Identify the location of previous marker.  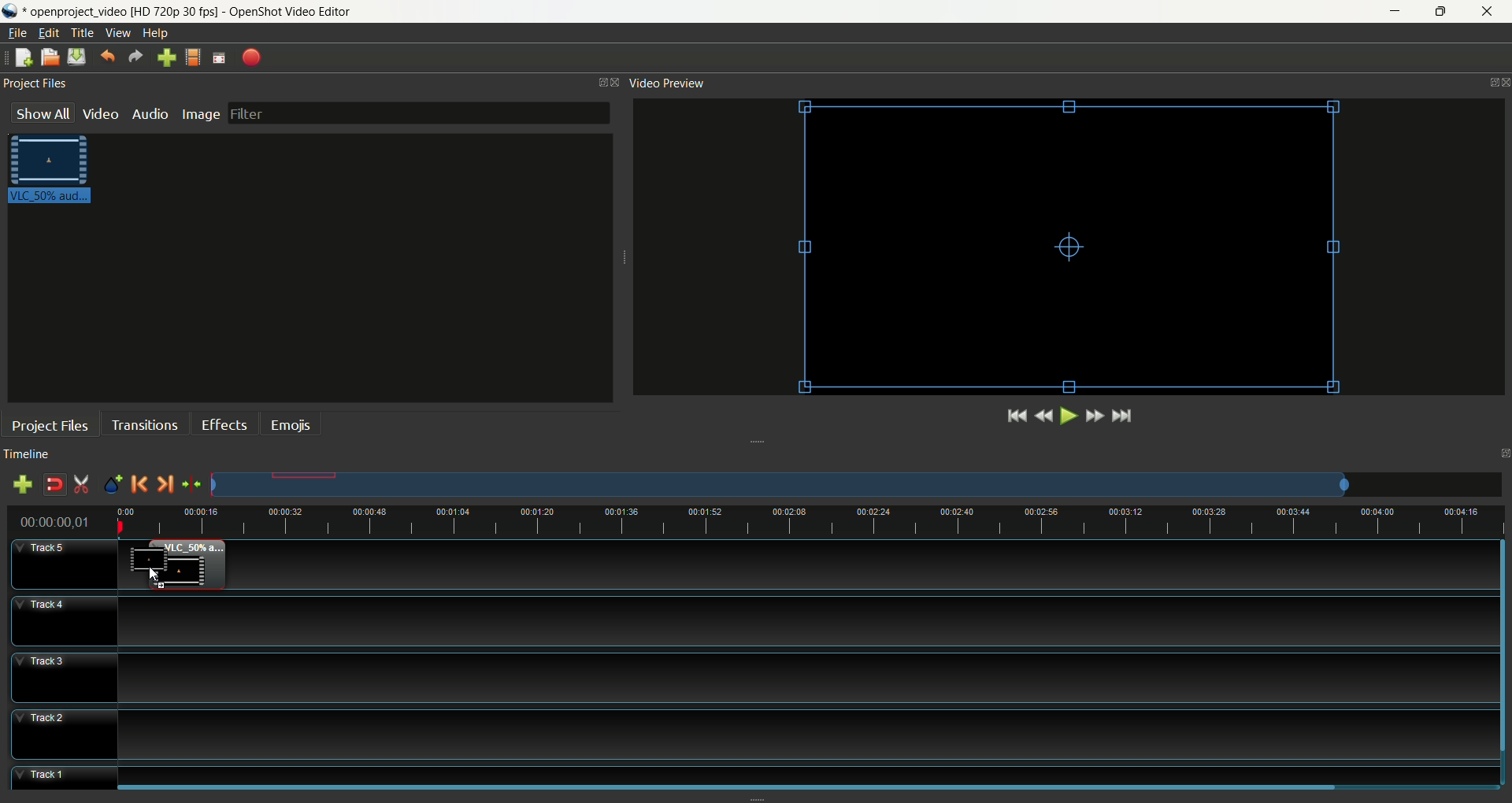
(139, 483).